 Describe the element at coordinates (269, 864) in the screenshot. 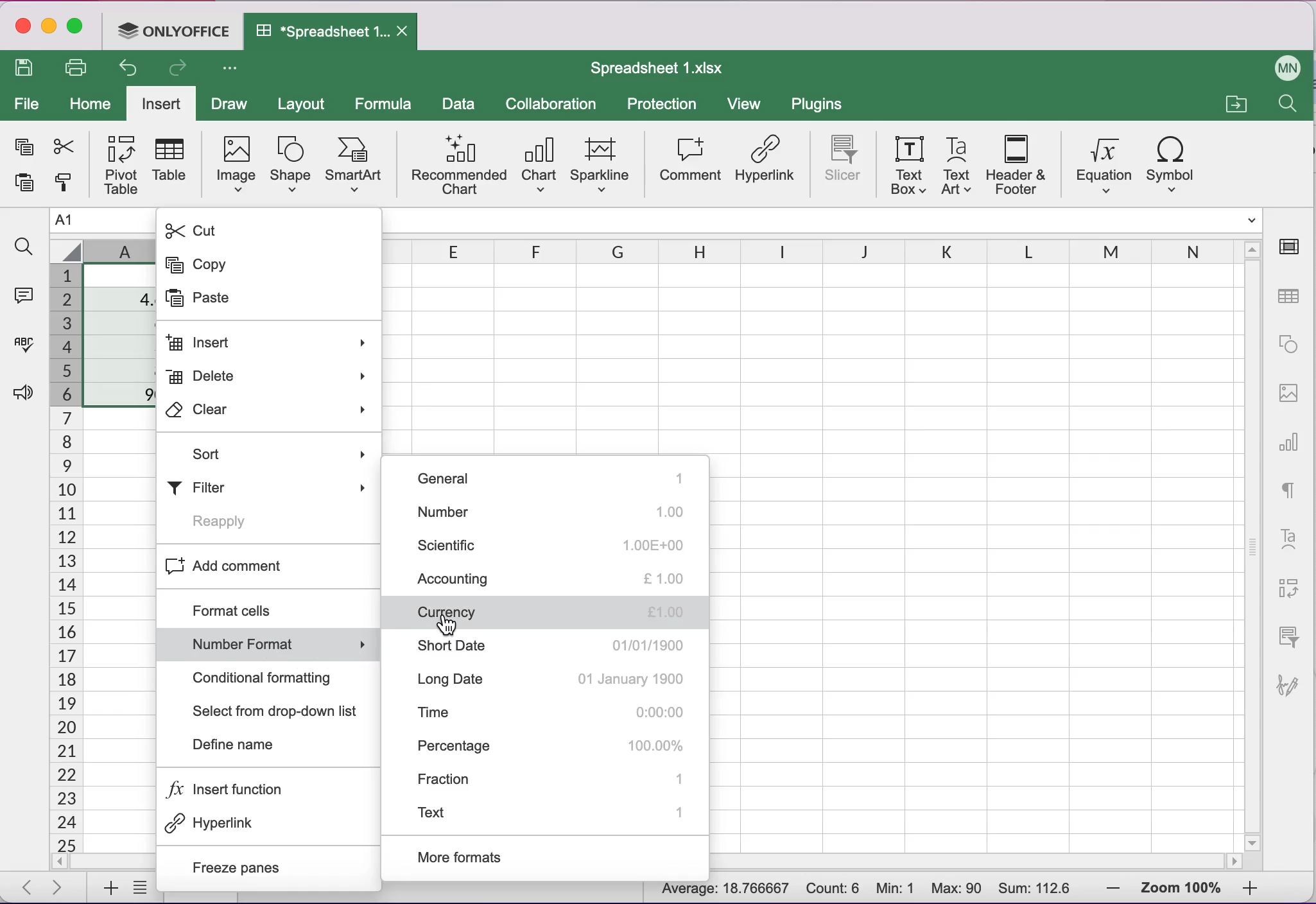

I see `Freeze panes` at that location.